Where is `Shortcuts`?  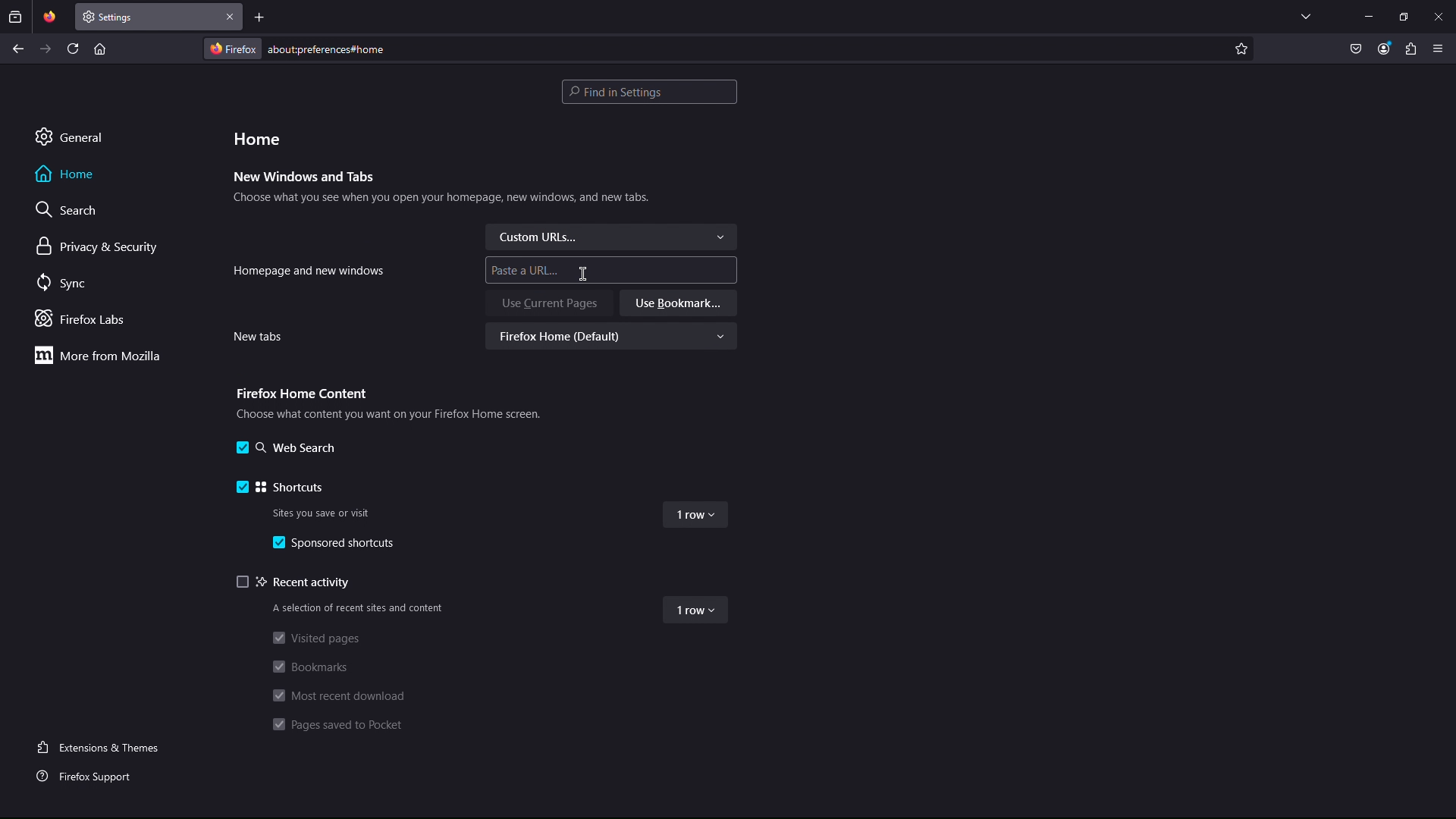
Shortcuts is located at coordinates (281, 485).